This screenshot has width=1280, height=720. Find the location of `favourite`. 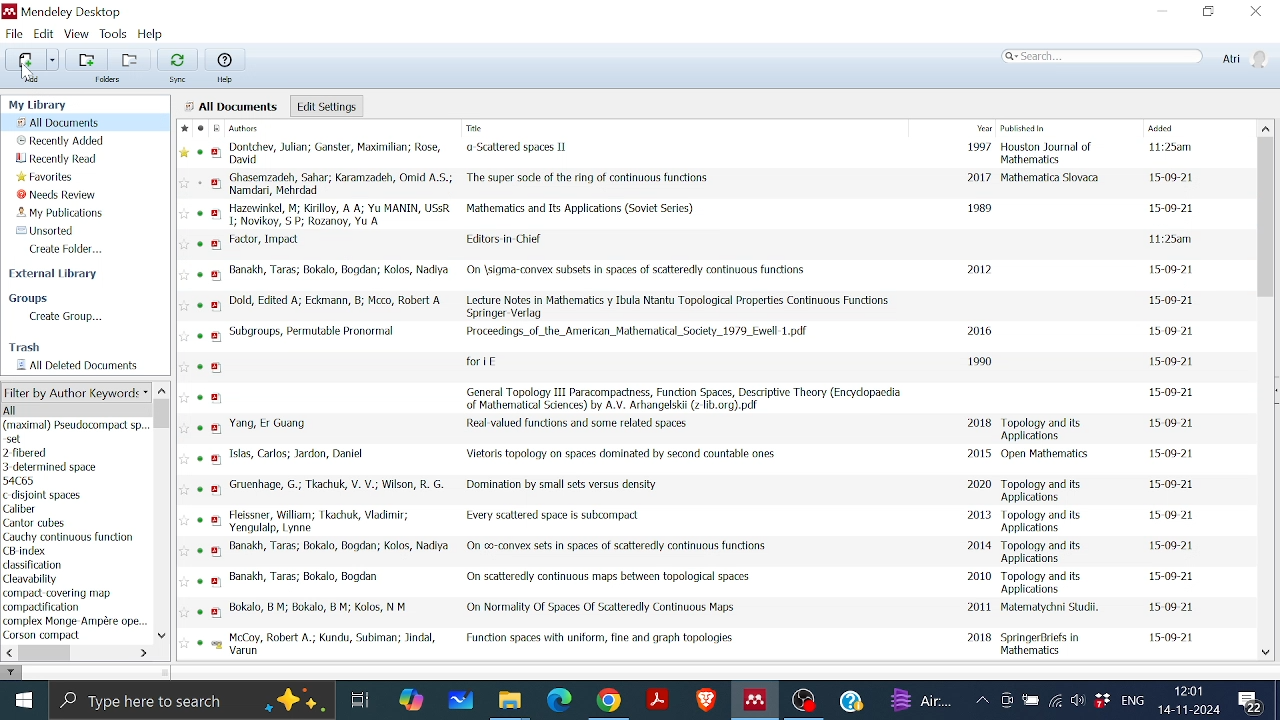

favourite is located at coordinates (182, 245).